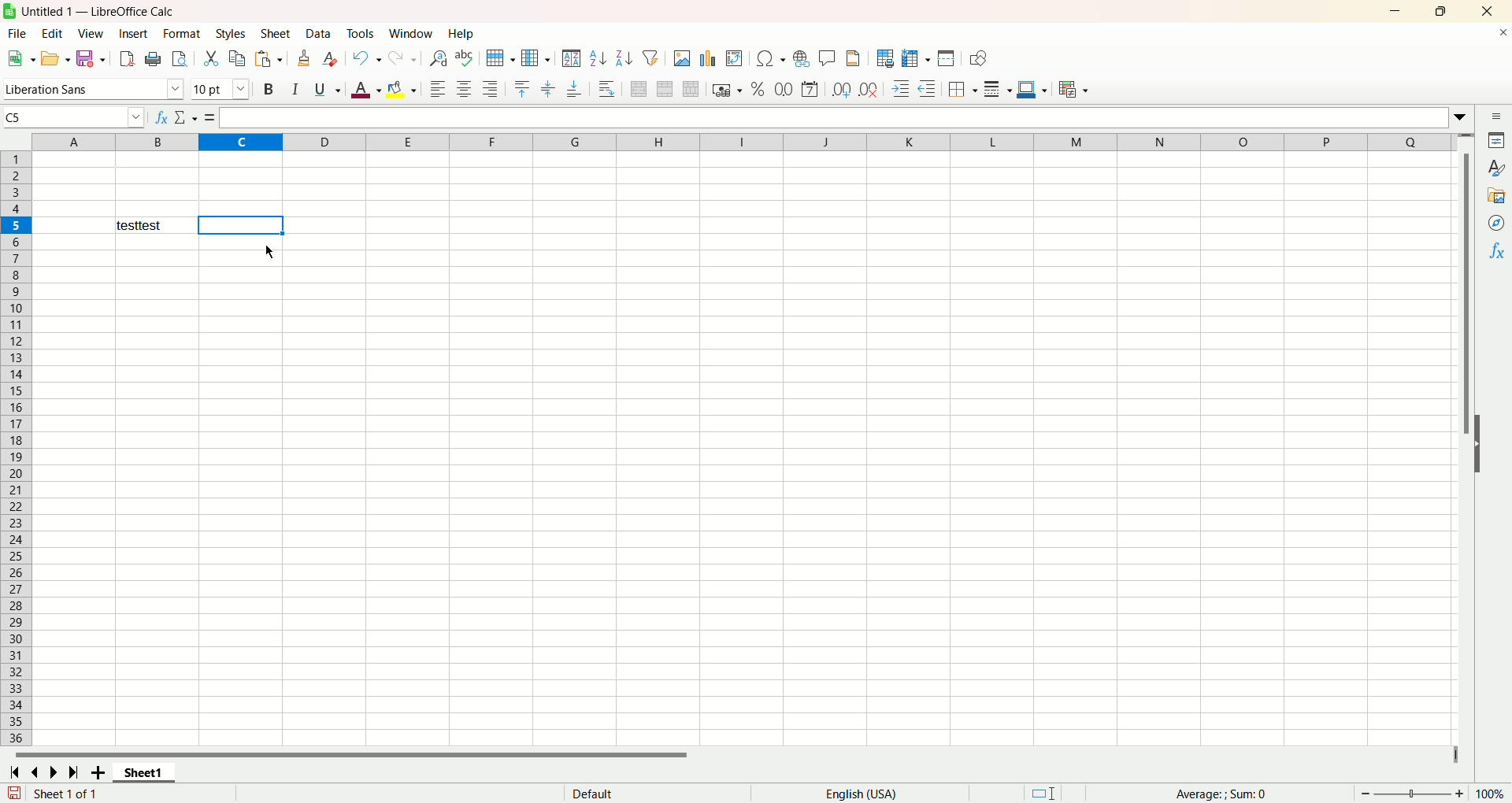  I want to click on autofilter, so click(653, 57).